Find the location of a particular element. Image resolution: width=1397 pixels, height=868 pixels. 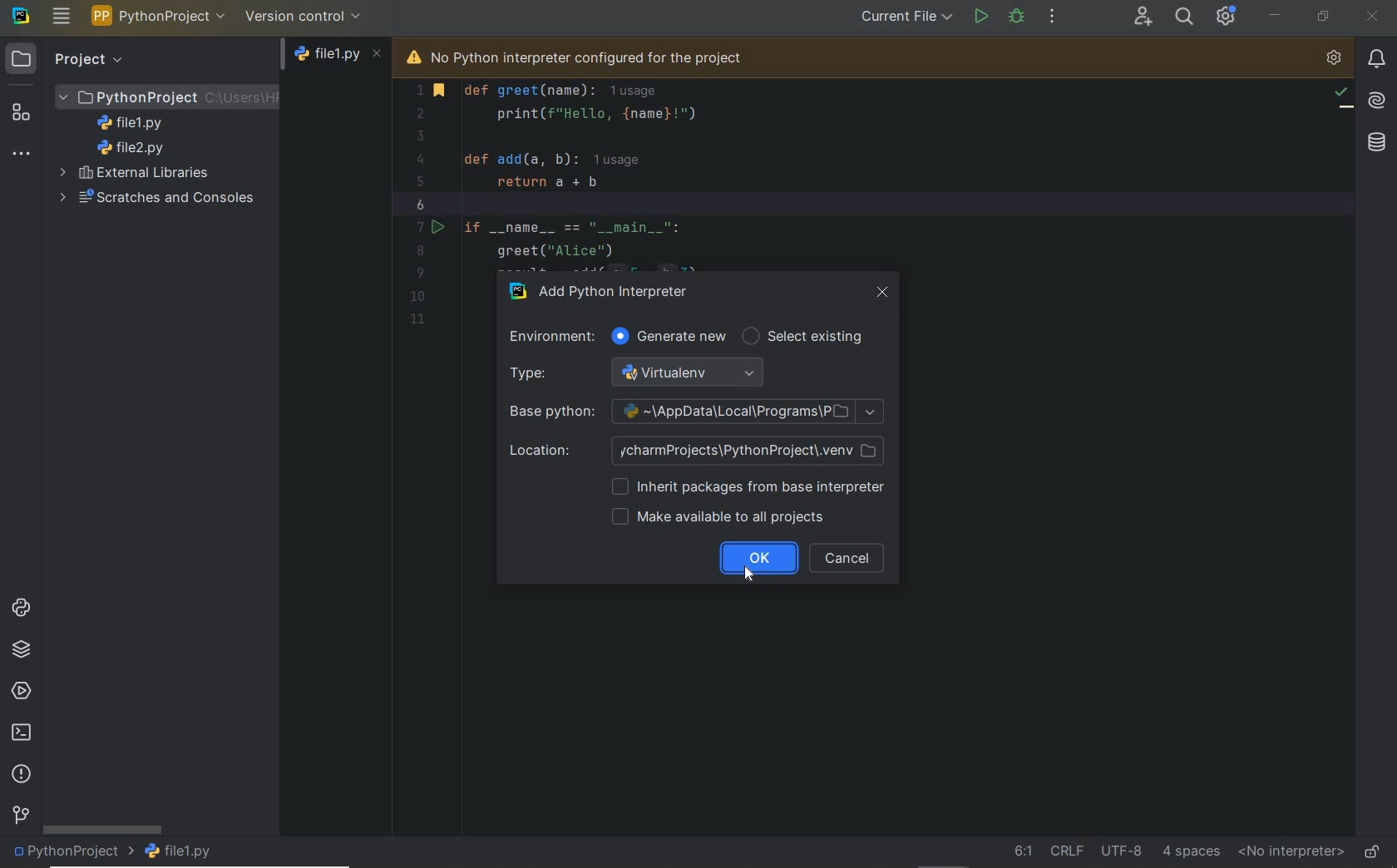

indent is located at coordinates (1192, 851).